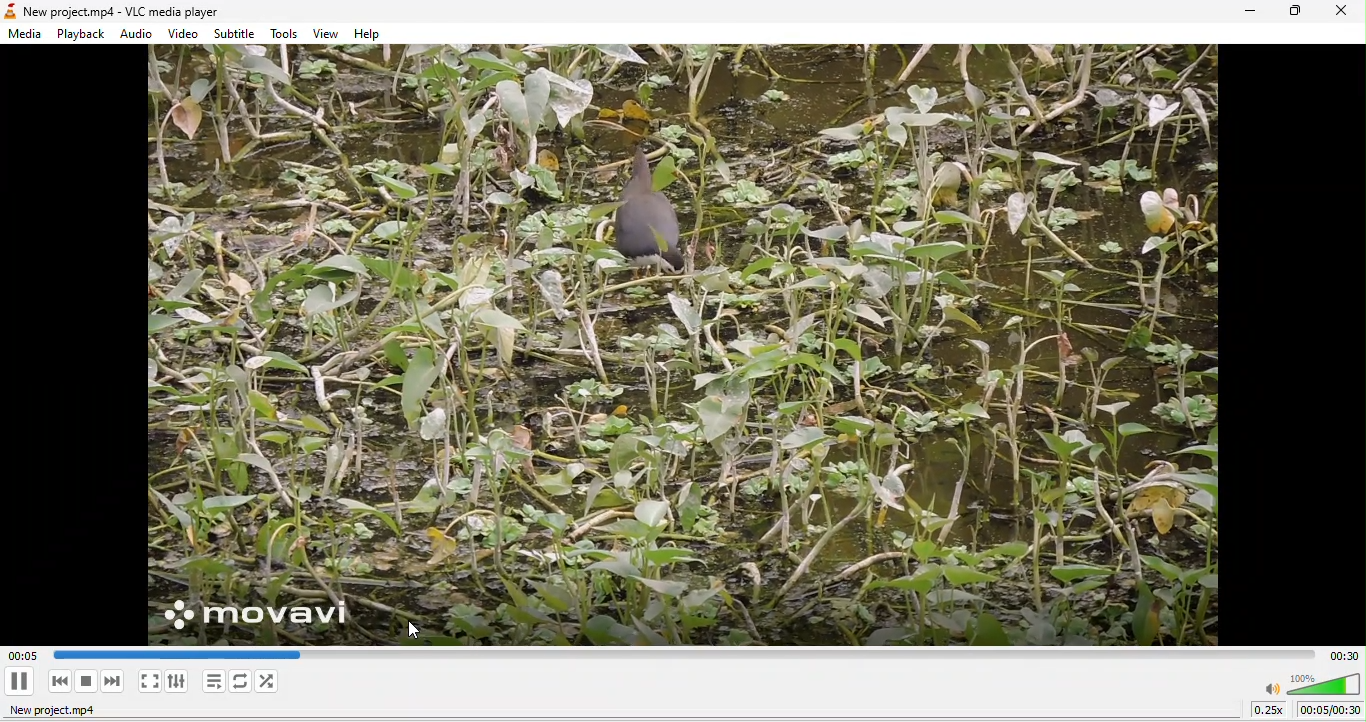 The width and height of the screenshot is (1366, 722). I want to click on minimize, so click(1250, 12).